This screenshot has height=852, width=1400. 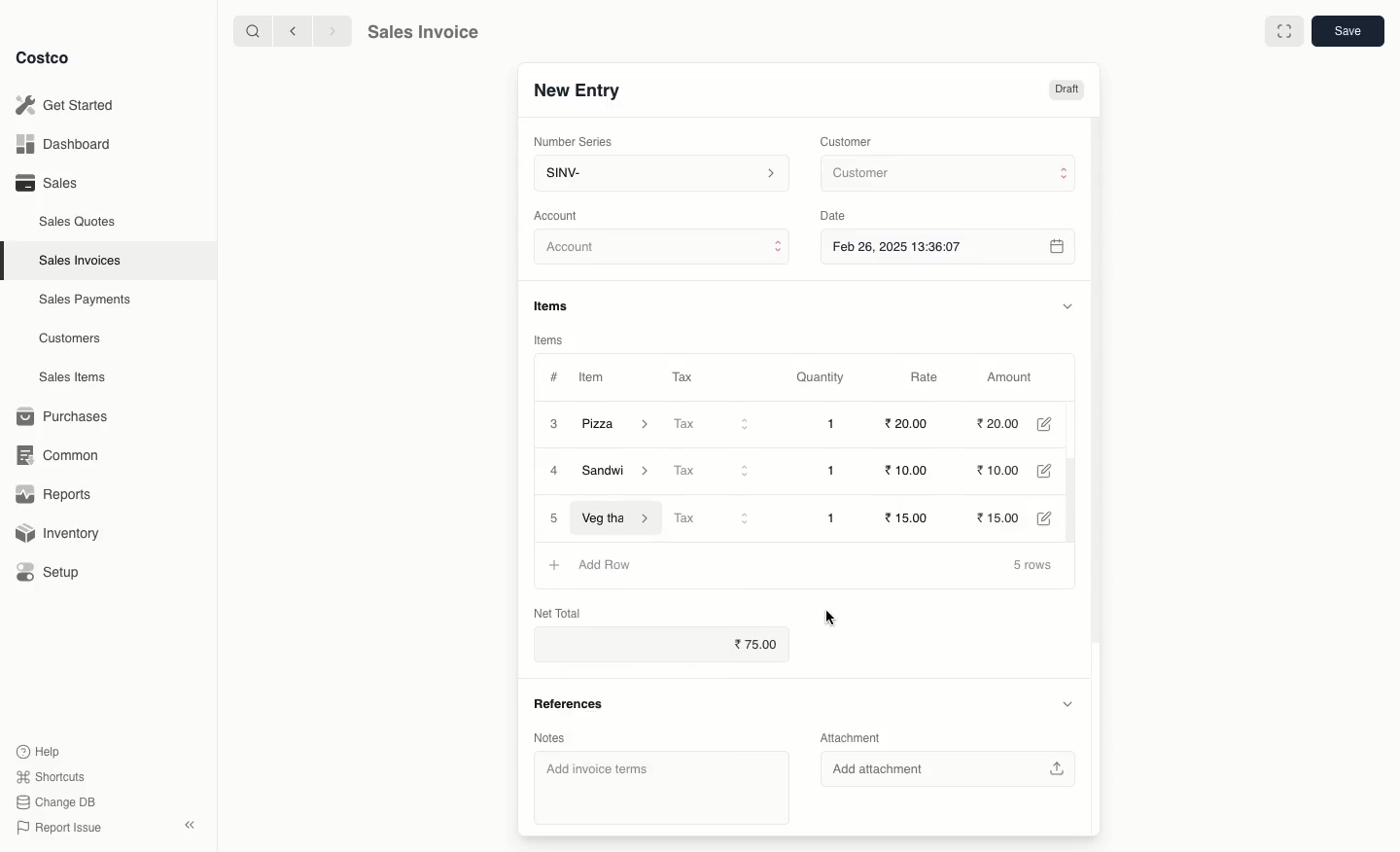 I want to click on Customer, so click(x=849, y=140).